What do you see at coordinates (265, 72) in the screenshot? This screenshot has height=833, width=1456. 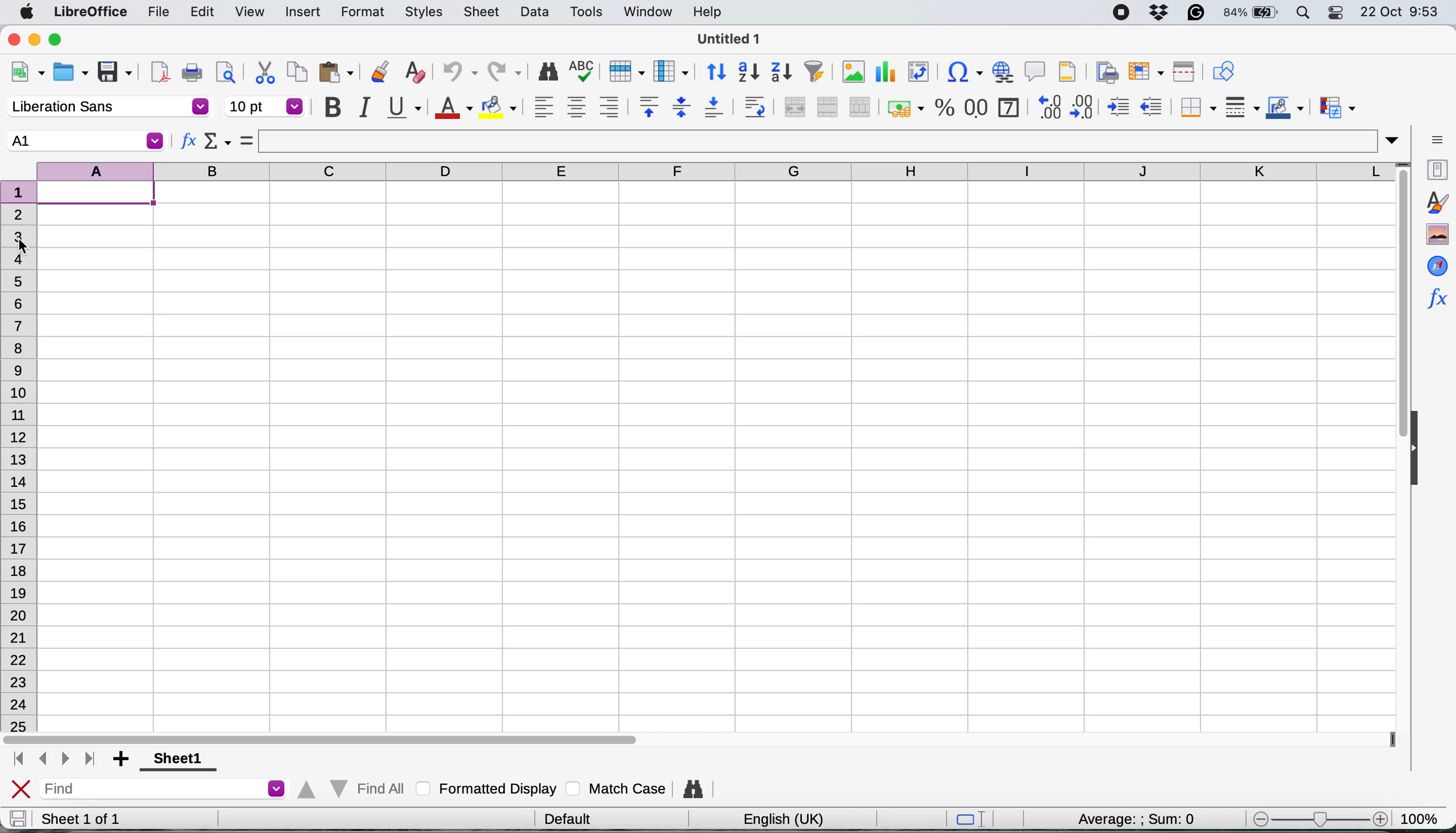 I see `cut` at bounding box center [265, 72].